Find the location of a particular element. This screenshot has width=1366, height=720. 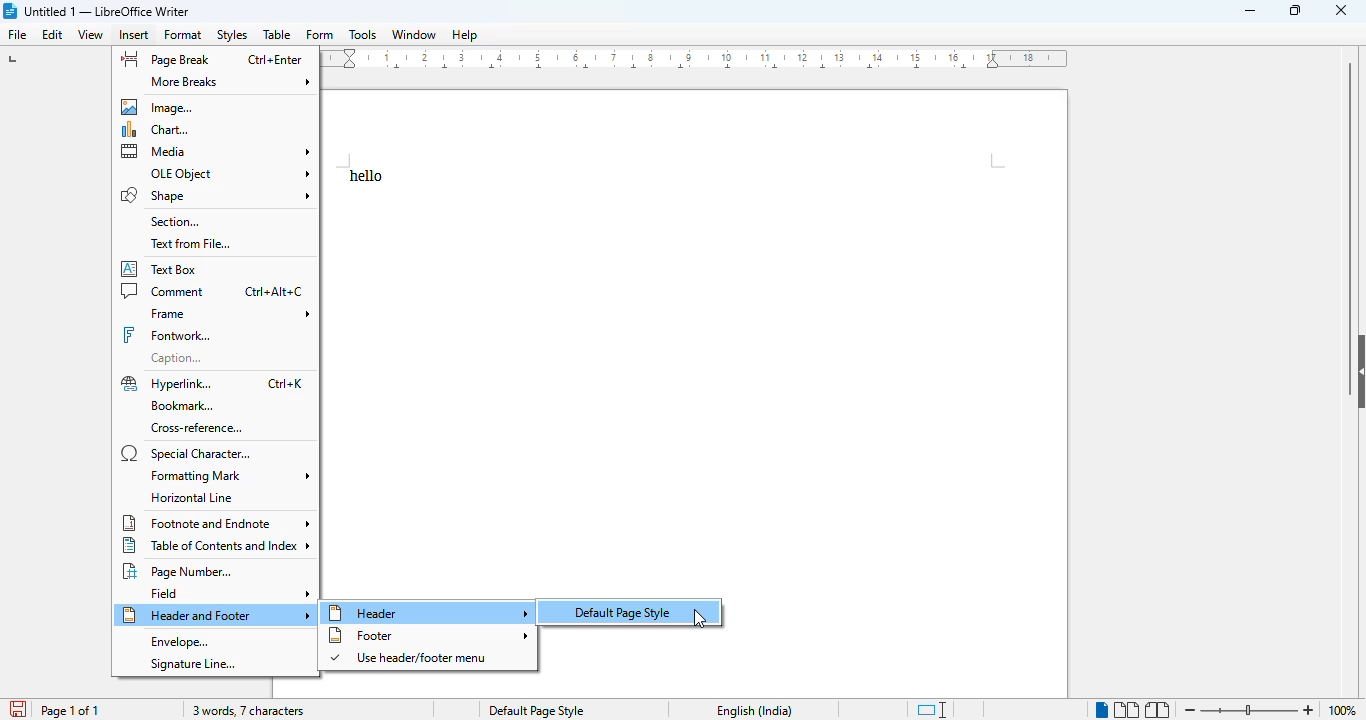

format is located at coordinates (183, 35).